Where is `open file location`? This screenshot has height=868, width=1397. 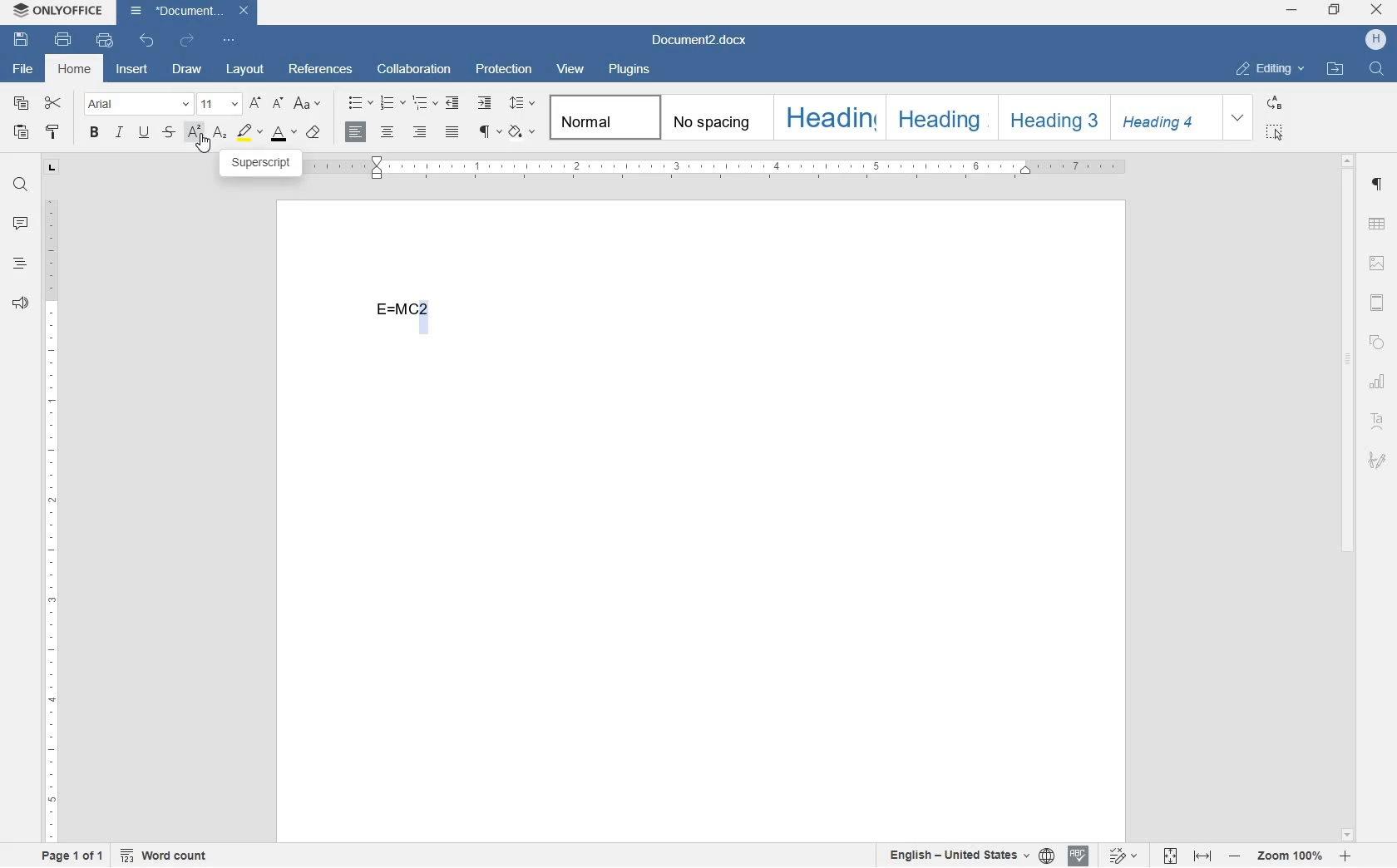 open file location is located at coordinates (1335, 68).